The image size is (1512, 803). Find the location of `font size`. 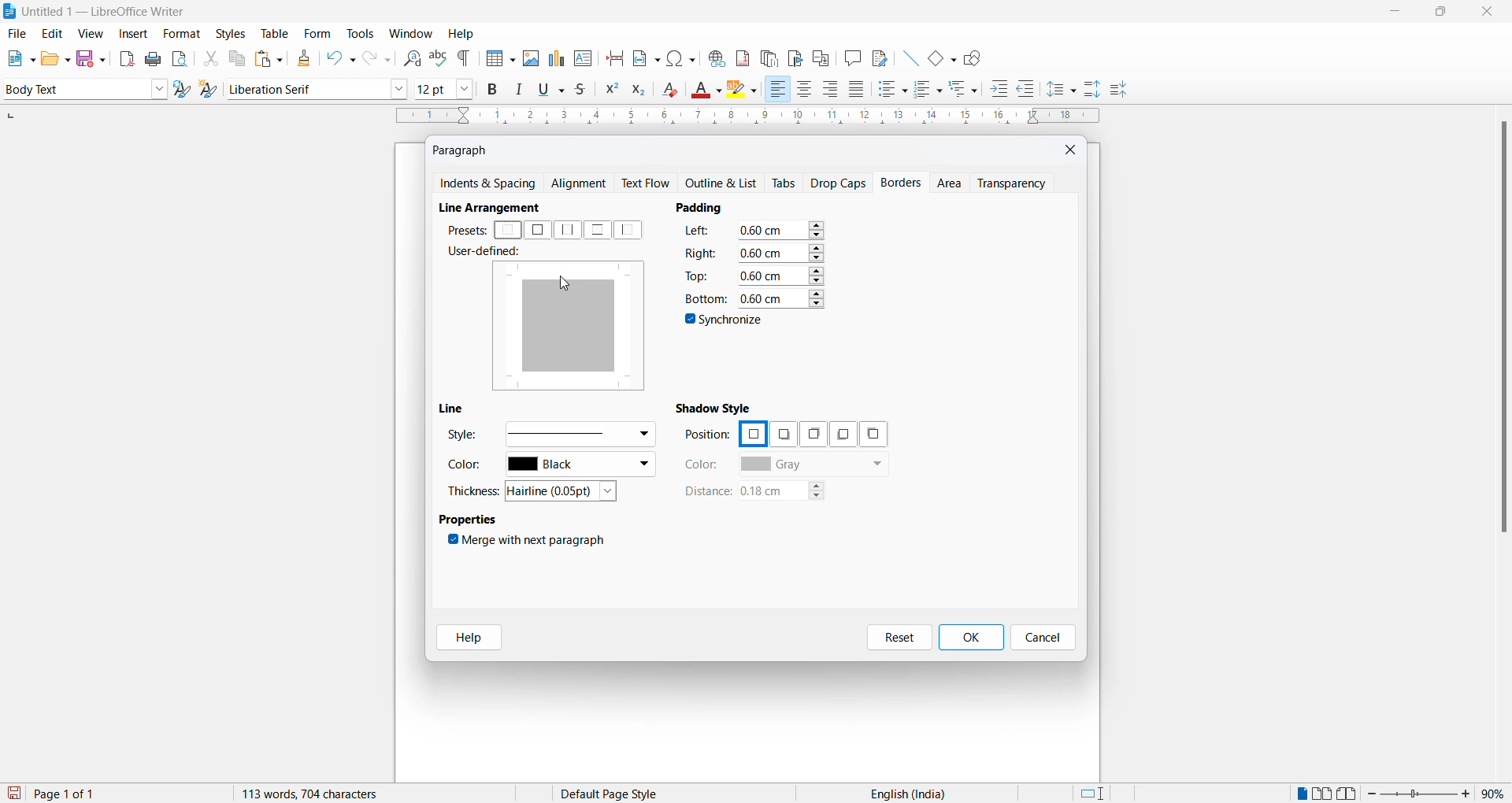

font size is located at coordinates (432, 88).